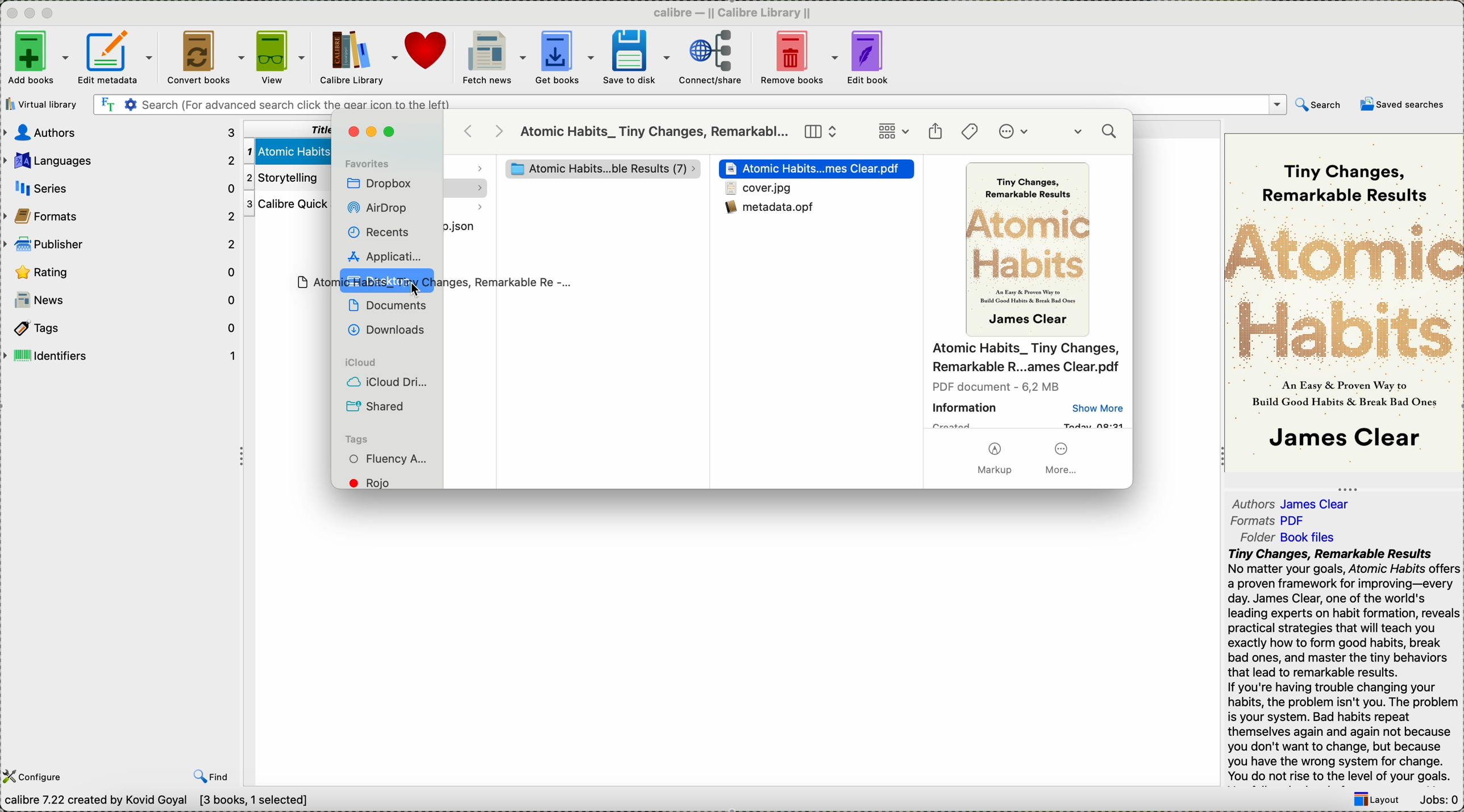 The image size is (1464, 812). I want to click on titlw, so click(285, 128).